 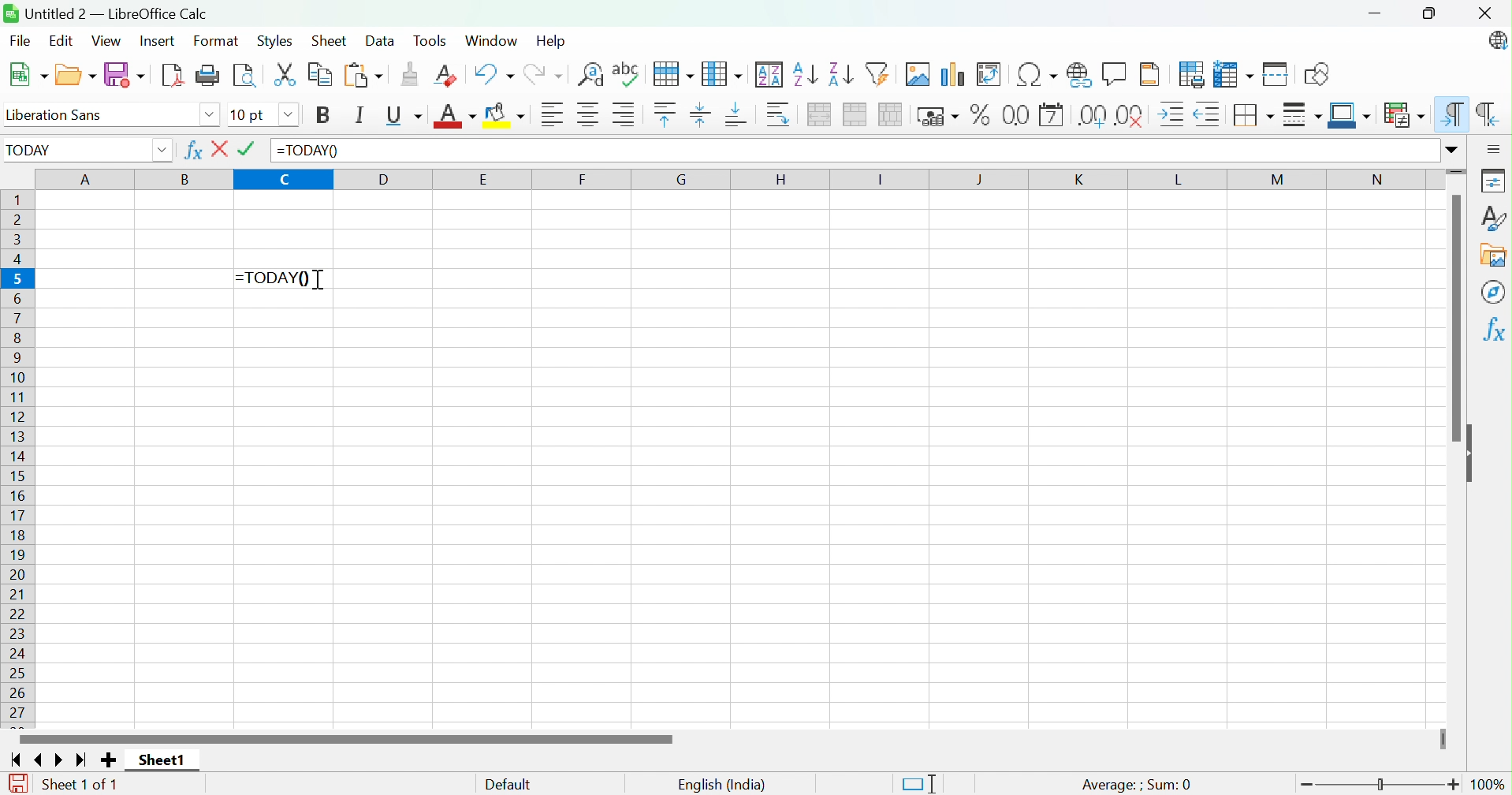 I want to click on Insert image, so click(x=920, y=74).